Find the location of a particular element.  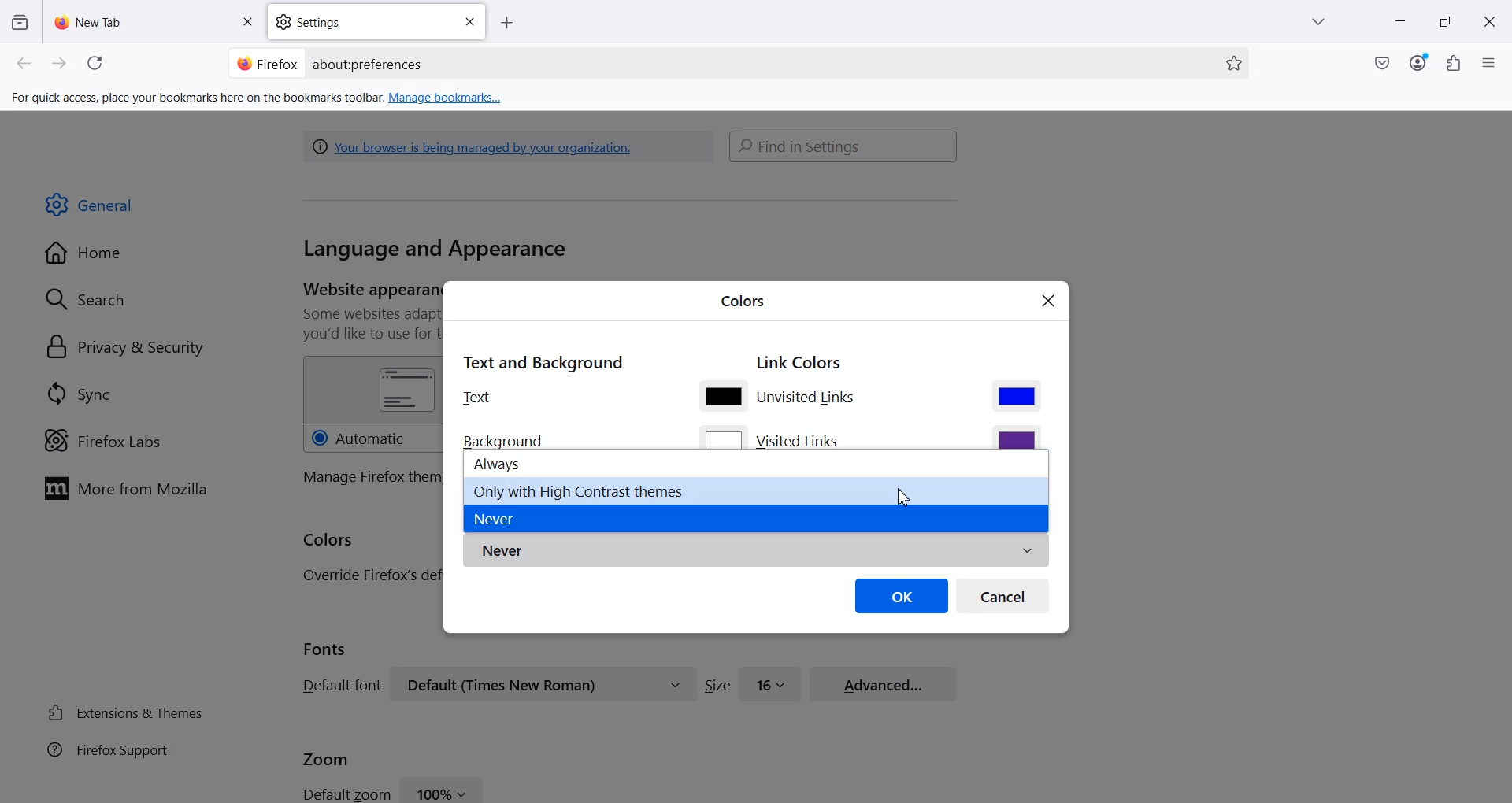

DropDown Box is located at coordinates (1322, 22).